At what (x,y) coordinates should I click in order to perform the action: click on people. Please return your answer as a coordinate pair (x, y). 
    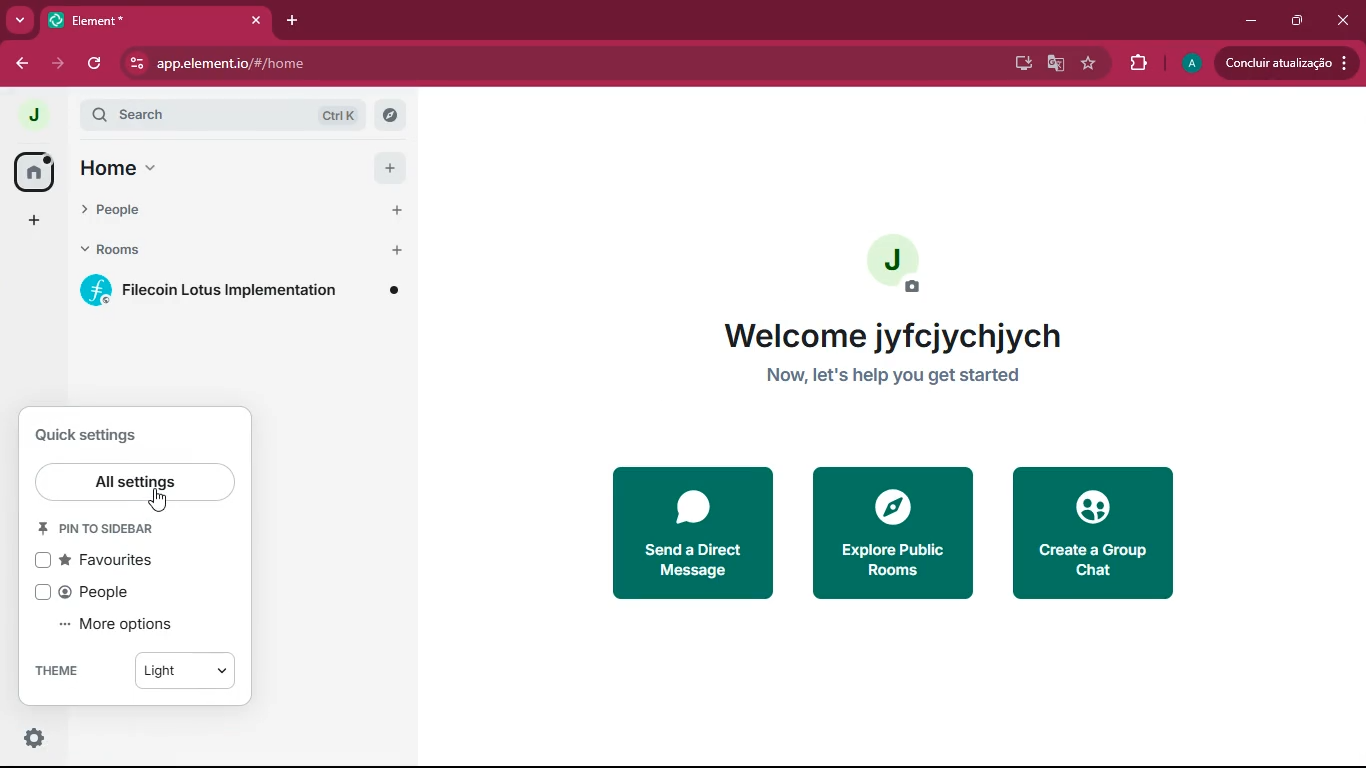
    Looking at the image, I should click on (90, 592).